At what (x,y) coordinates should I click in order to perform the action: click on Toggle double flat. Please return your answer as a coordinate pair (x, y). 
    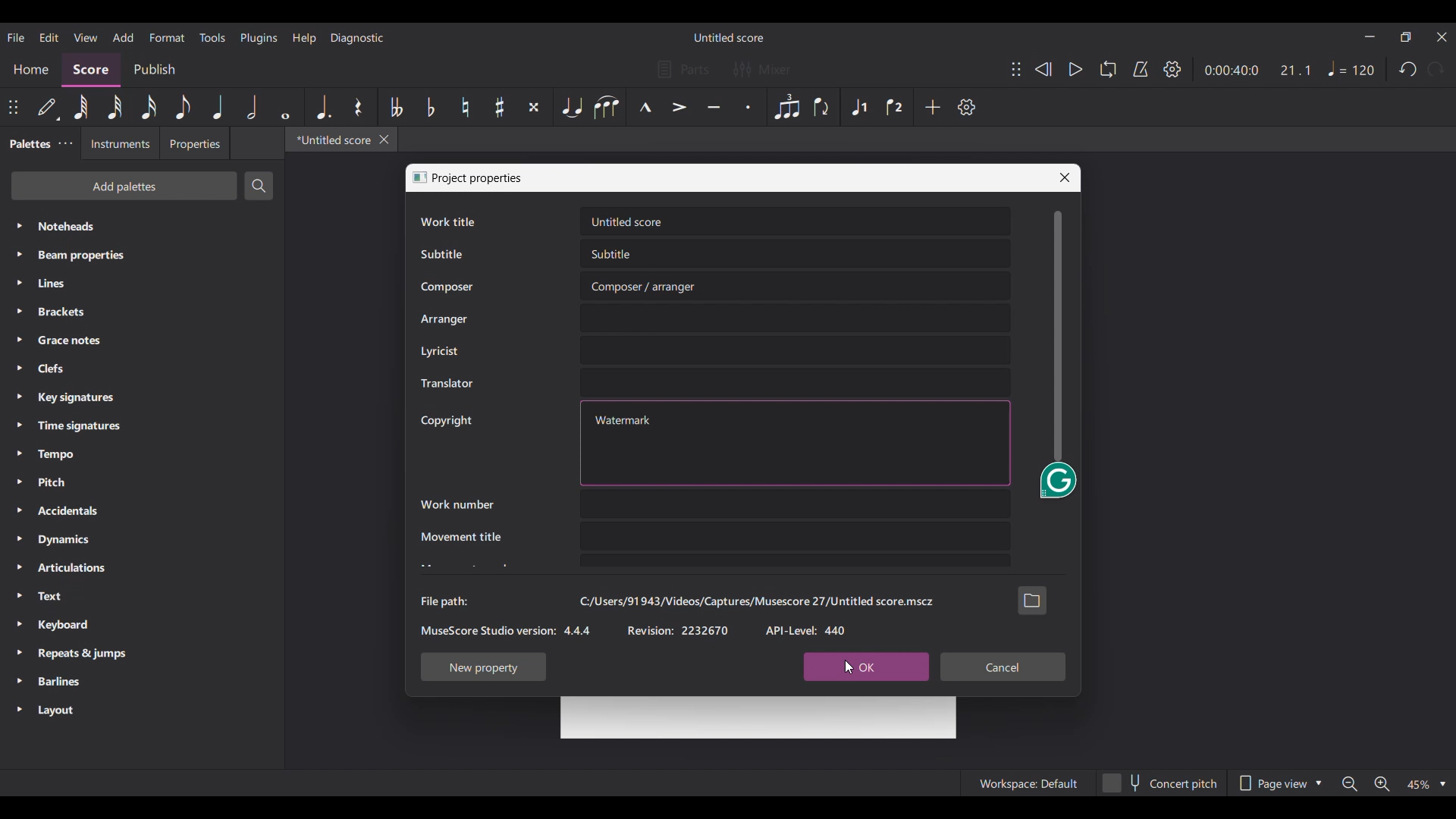
    Looking at the image, I should click on (395, 107).